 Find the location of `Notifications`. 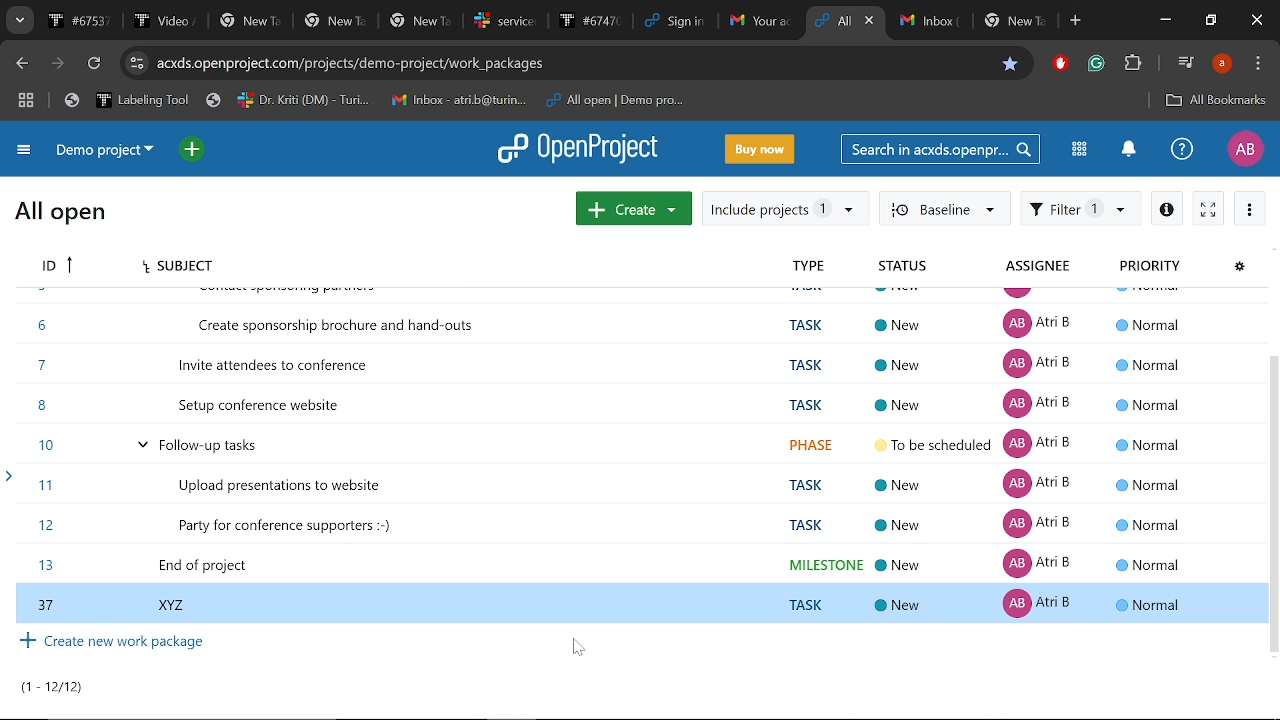

Notifications is located at coordinates (1129, 151).